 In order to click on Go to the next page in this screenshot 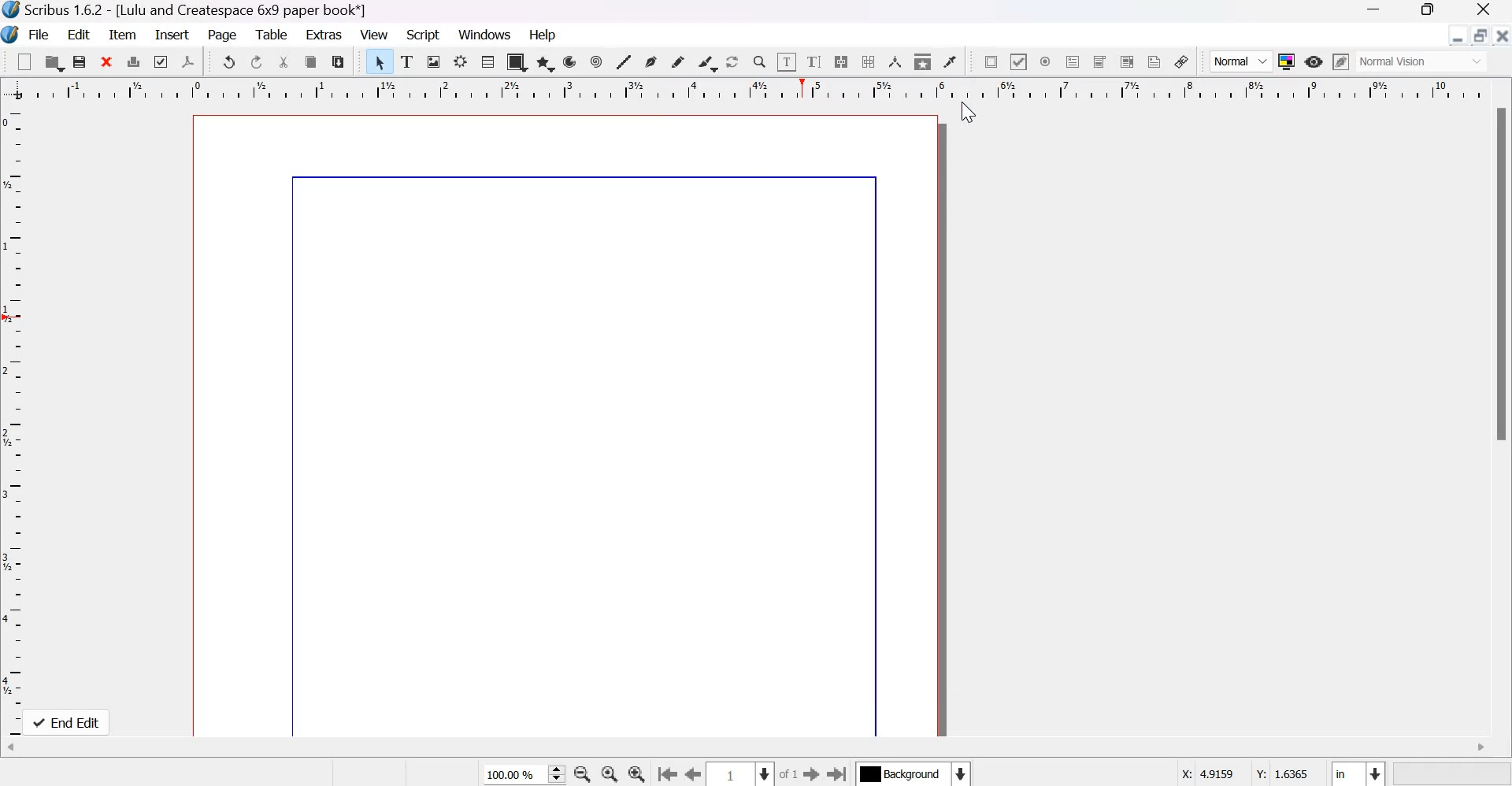, I will do `click(812, 773)`.